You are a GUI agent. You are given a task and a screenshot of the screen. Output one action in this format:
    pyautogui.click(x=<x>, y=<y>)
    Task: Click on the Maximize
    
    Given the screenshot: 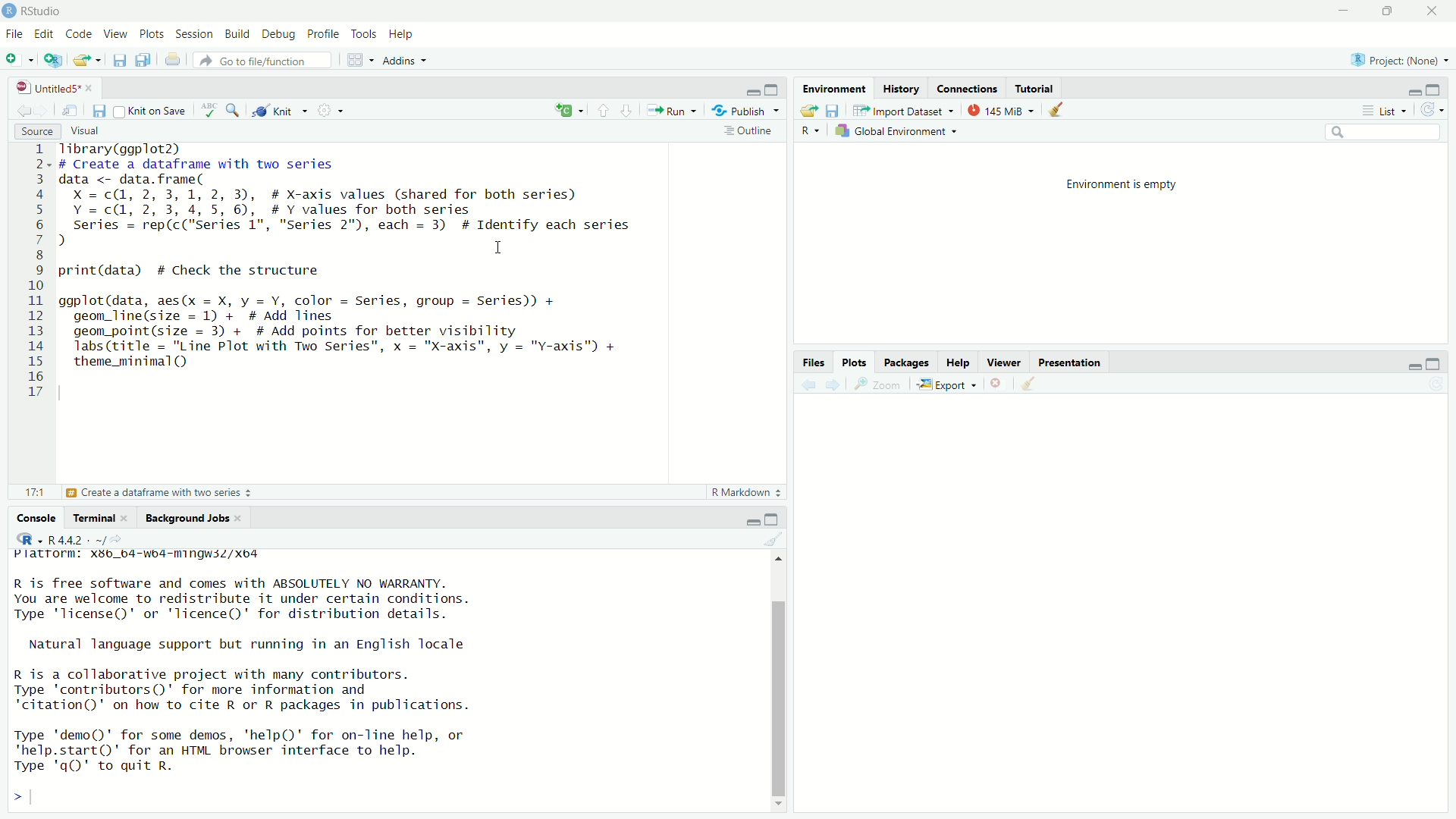 What is the action you would take?
    pyautogui.click(x=772, y=519)
    